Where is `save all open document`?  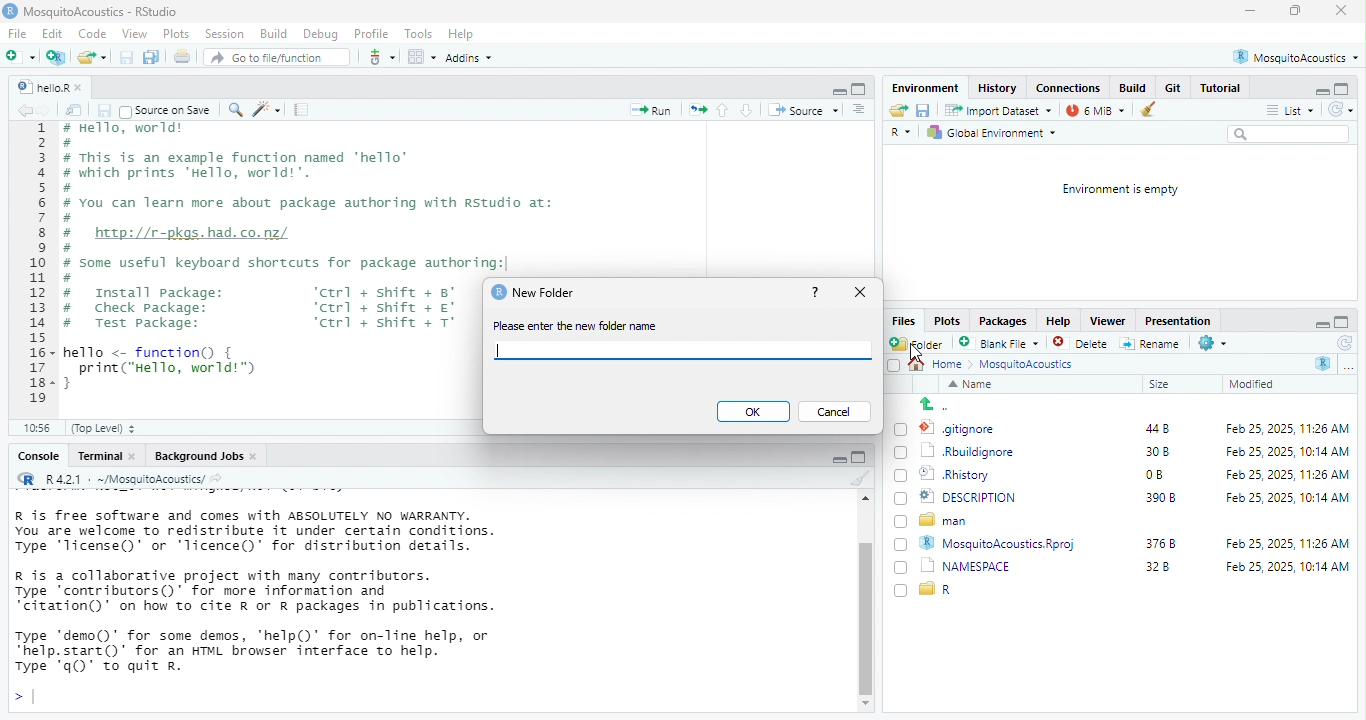
save all open document is located at coordinates (153, 57).